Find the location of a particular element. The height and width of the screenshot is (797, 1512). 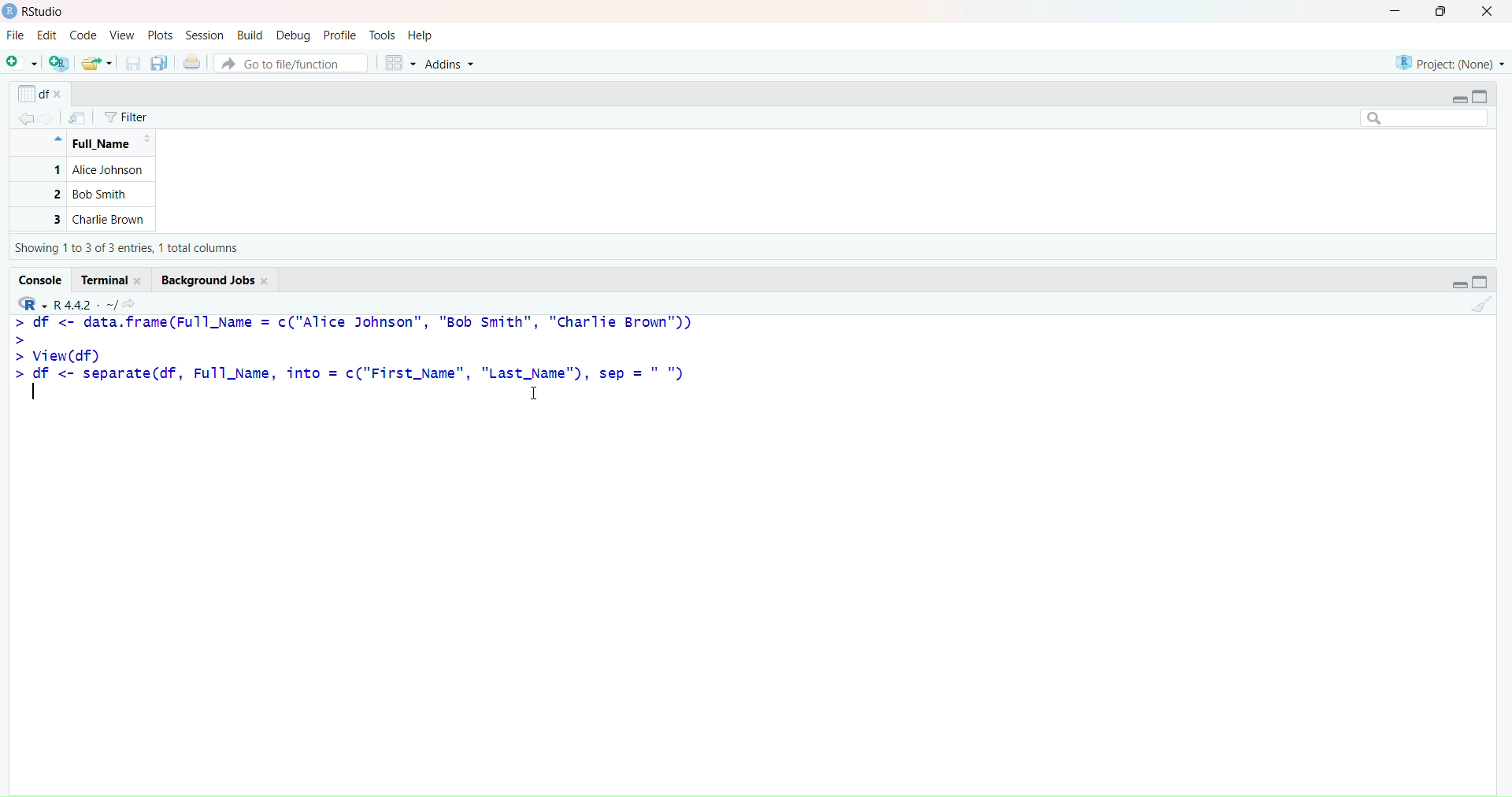

Build is located at coordinates (250, 34).